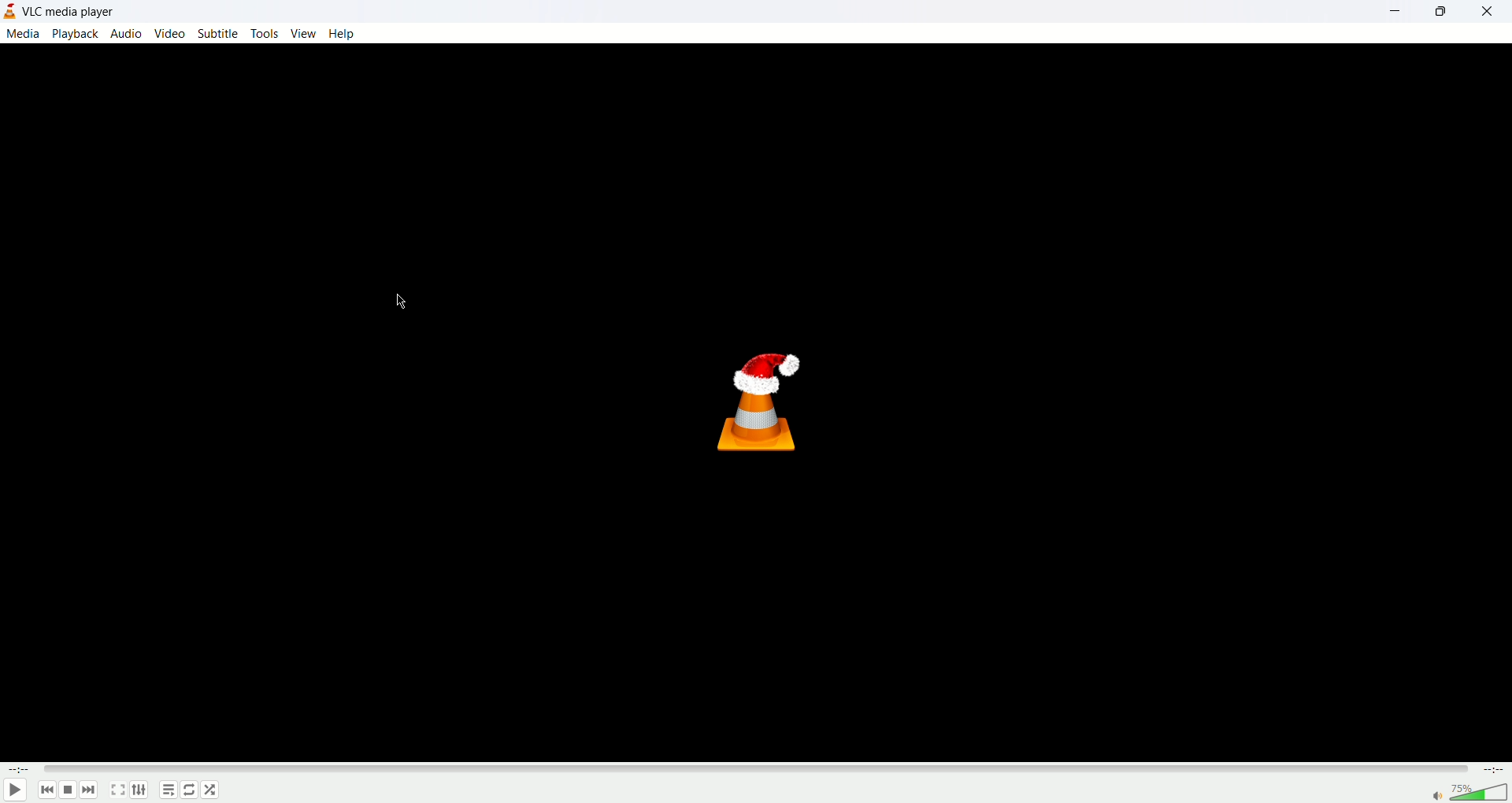 This screenshot has width=1512, height=803. I want to click on extended settings, so click(138, 790).